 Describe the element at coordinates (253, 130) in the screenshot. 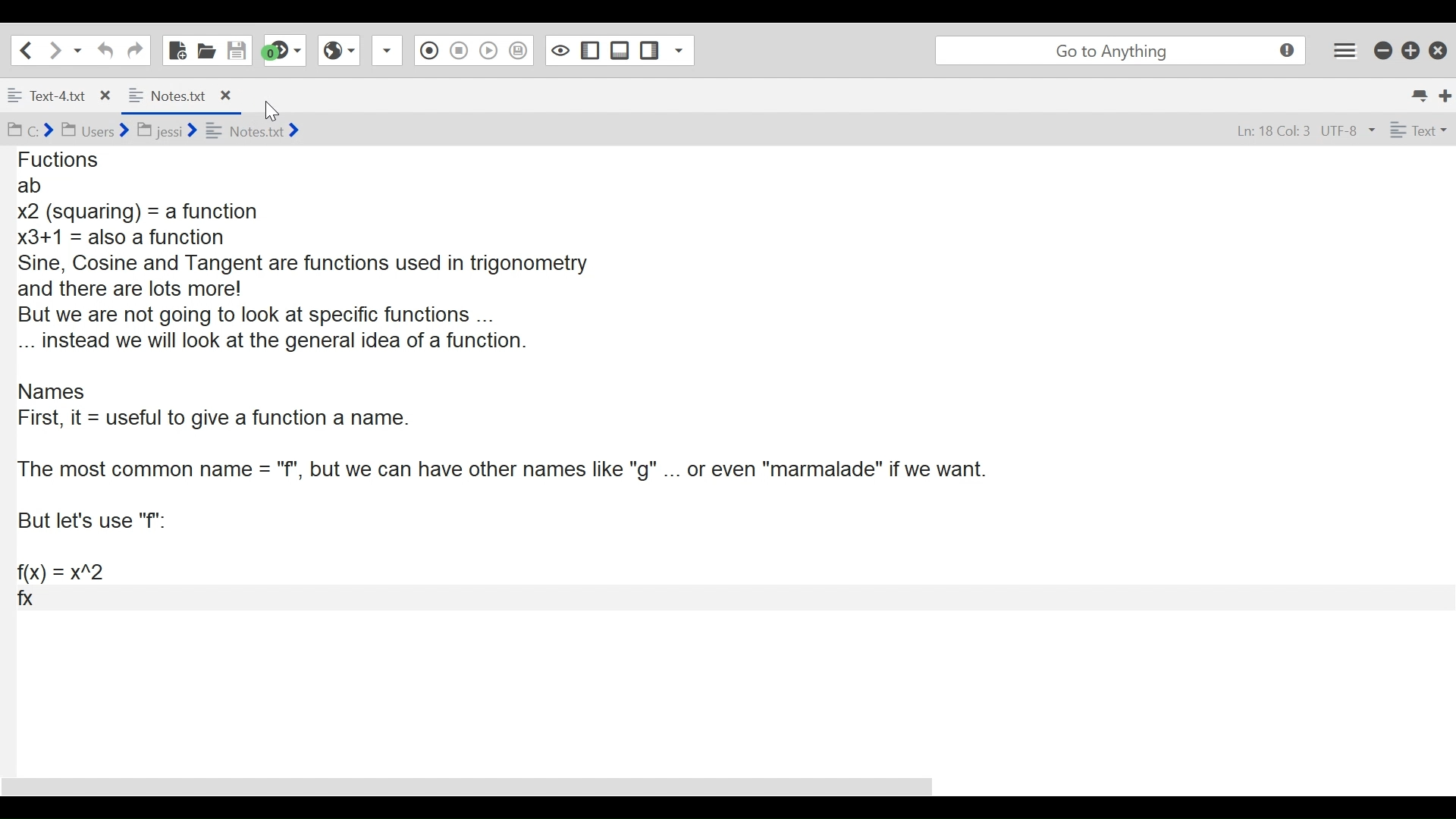

I see `notes.txt` at that location.